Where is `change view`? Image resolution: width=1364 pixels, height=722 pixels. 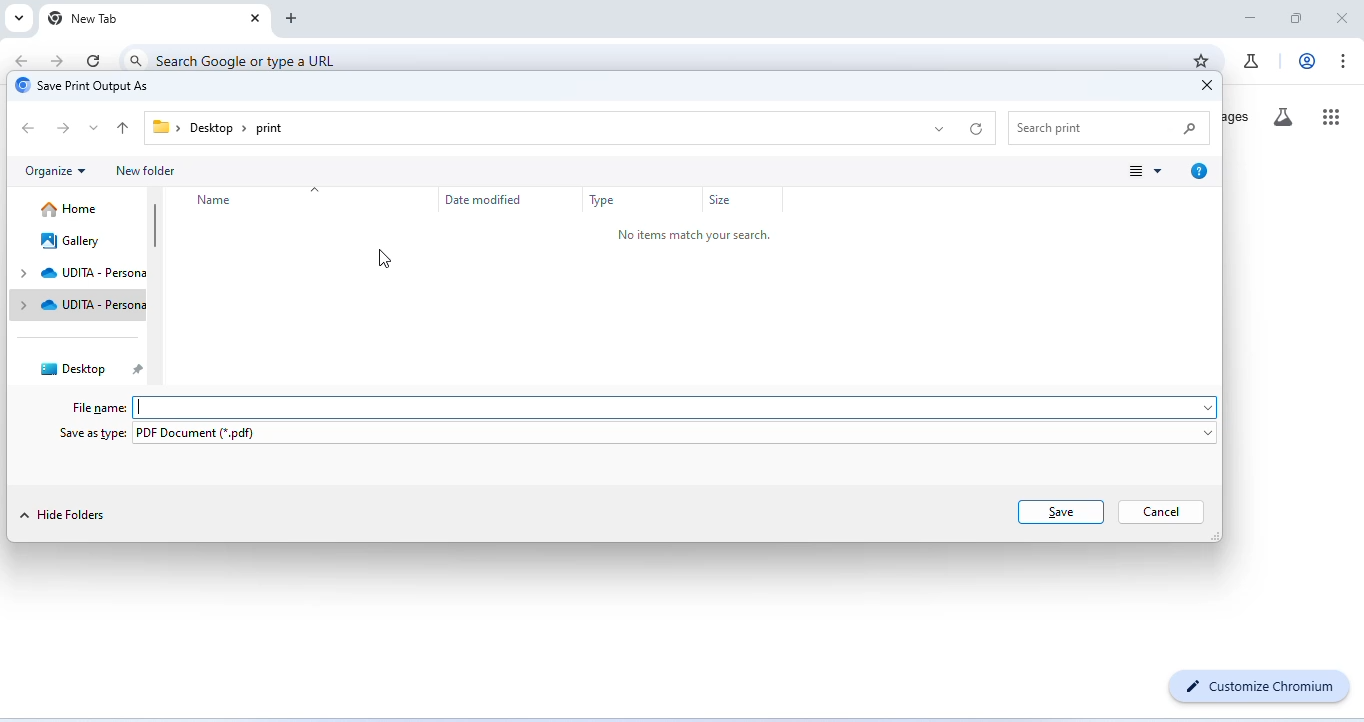 change view is located at coordinates (1147, 172).